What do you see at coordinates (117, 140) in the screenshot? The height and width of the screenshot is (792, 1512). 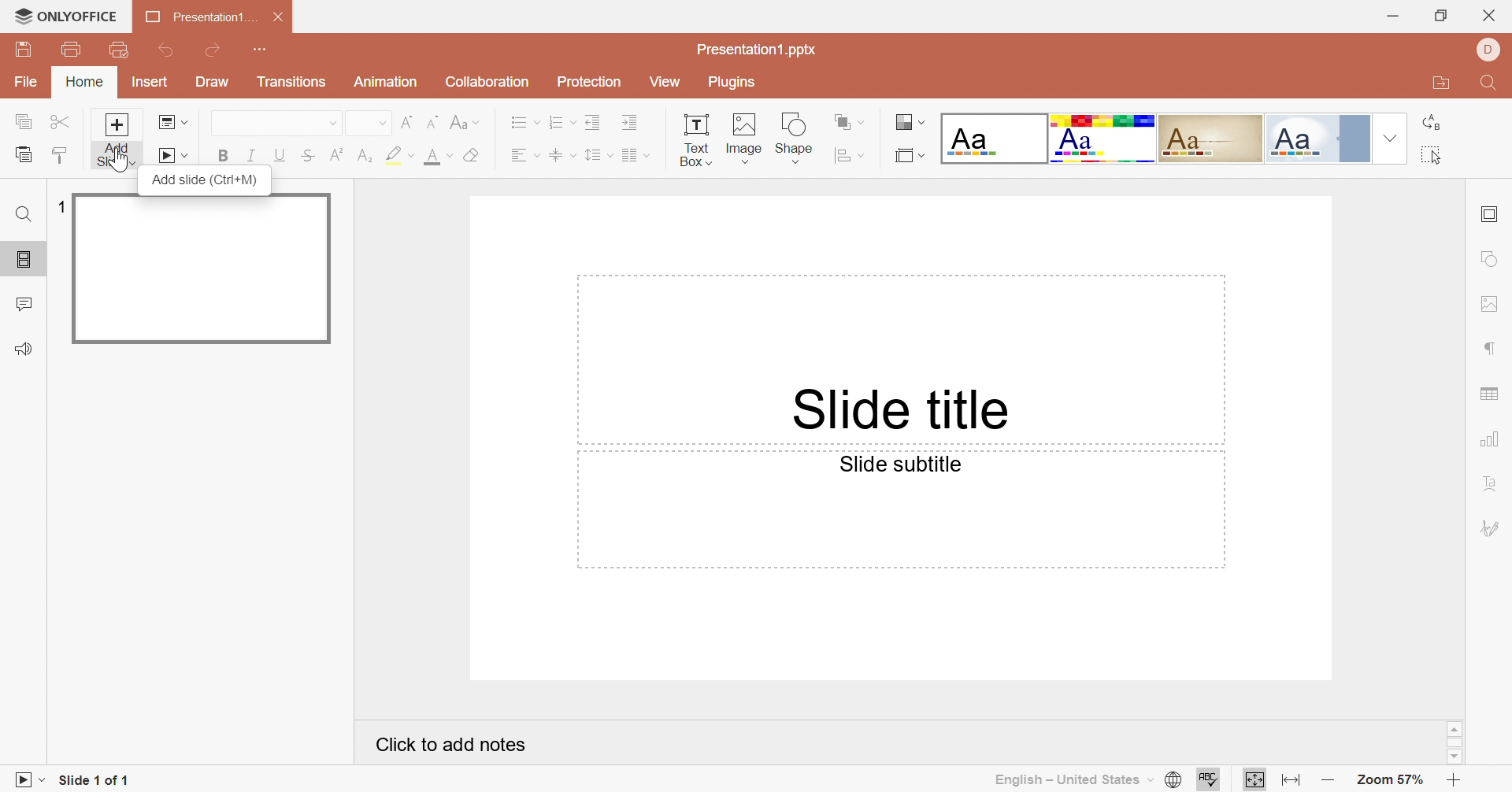 I see `Add slide` at bounding box center [117, 140].